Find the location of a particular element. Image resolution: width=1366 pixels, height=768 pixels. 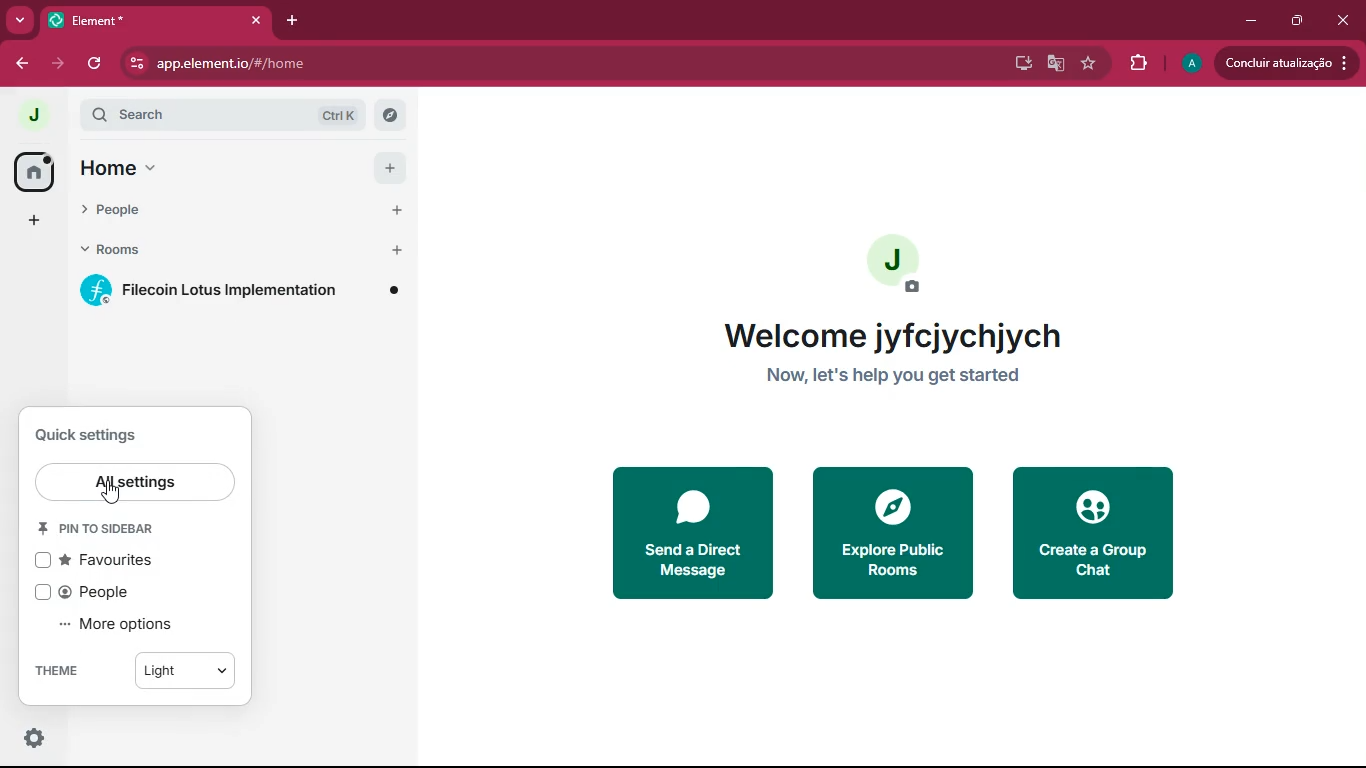

send a direct message is located at coordinates (692, 534).